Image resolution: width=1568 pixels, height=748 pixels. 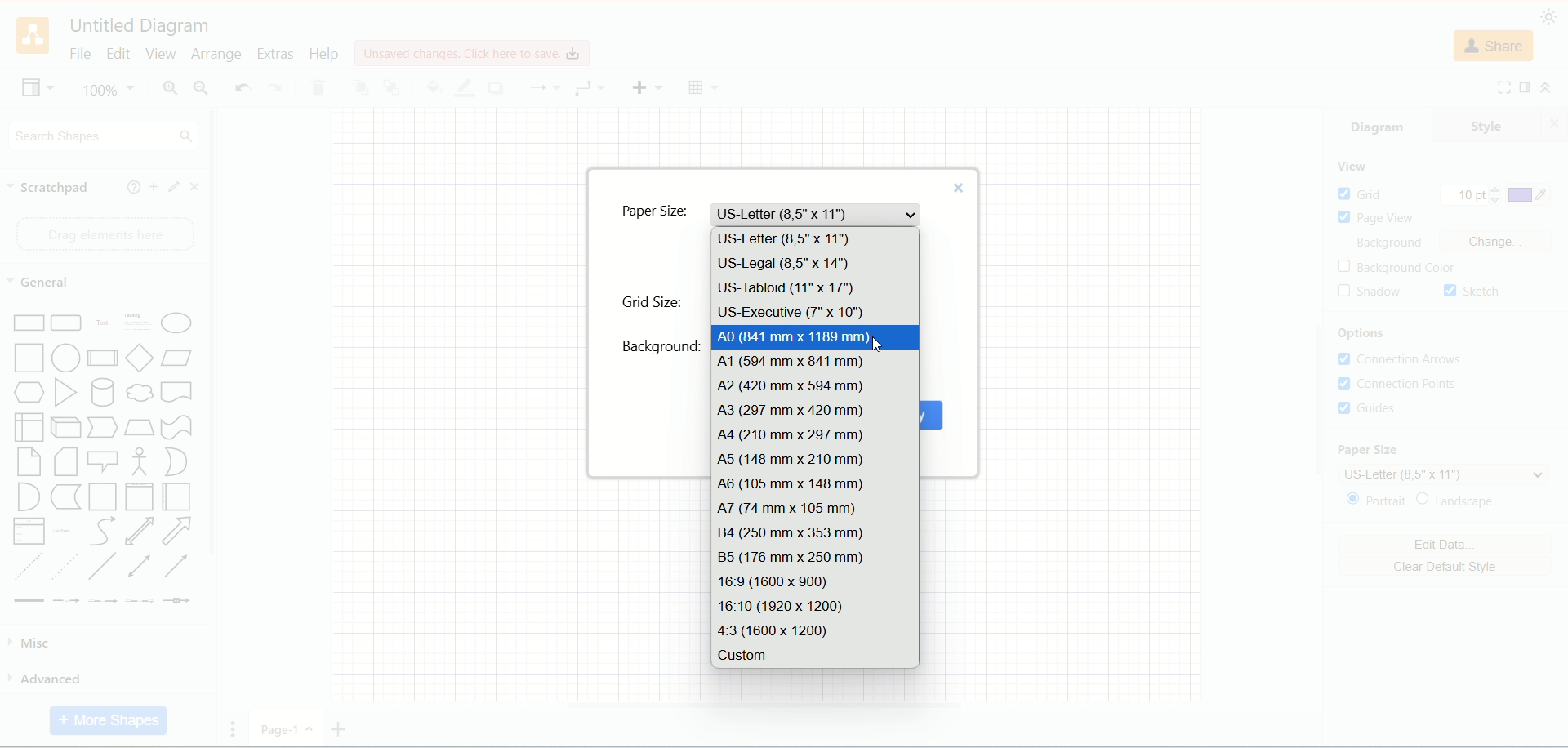 What do you see at coordinates (1369, 407) in the screenshot?
I see `guides` at bounding box center [1369, 407].